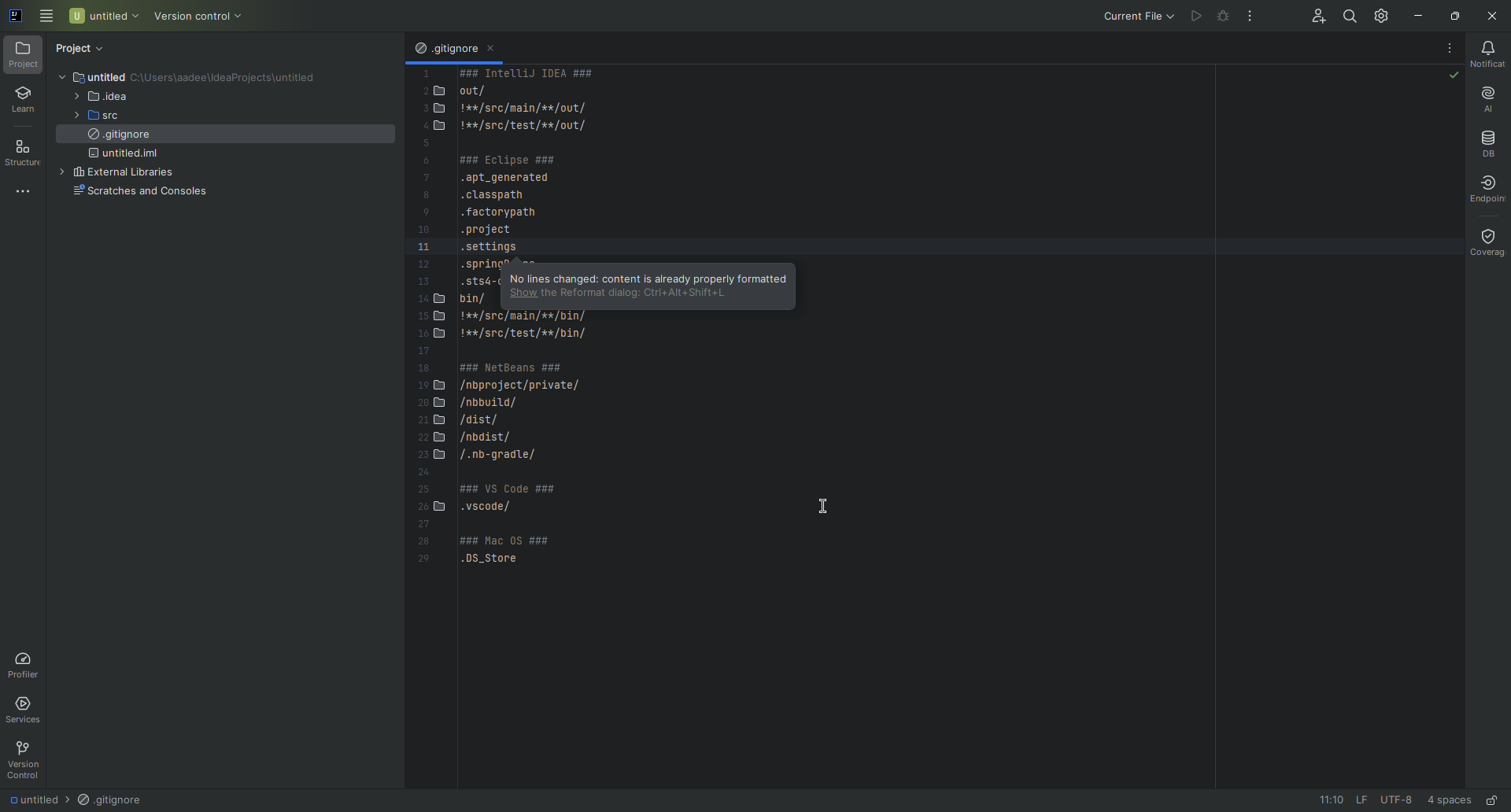  I want to click on 4 spaces(indent), so click(1451, 798).